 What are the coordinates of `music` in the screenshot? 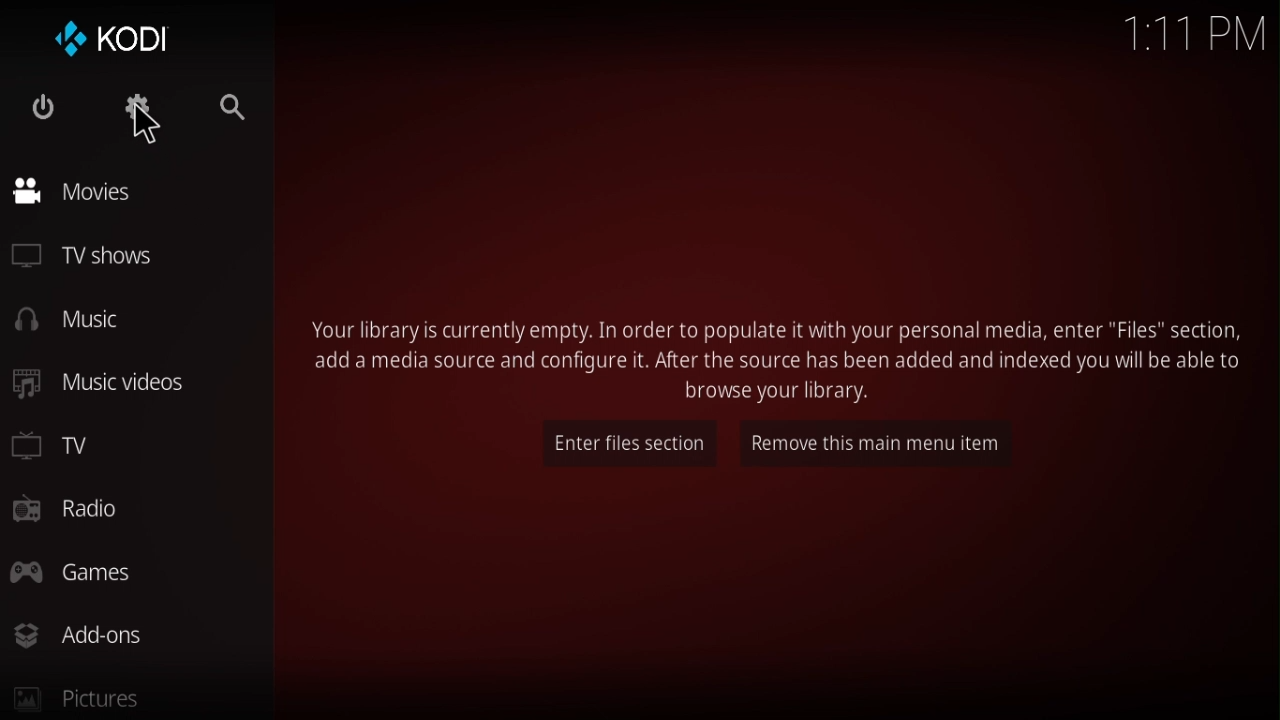 It's located at (84, 318).